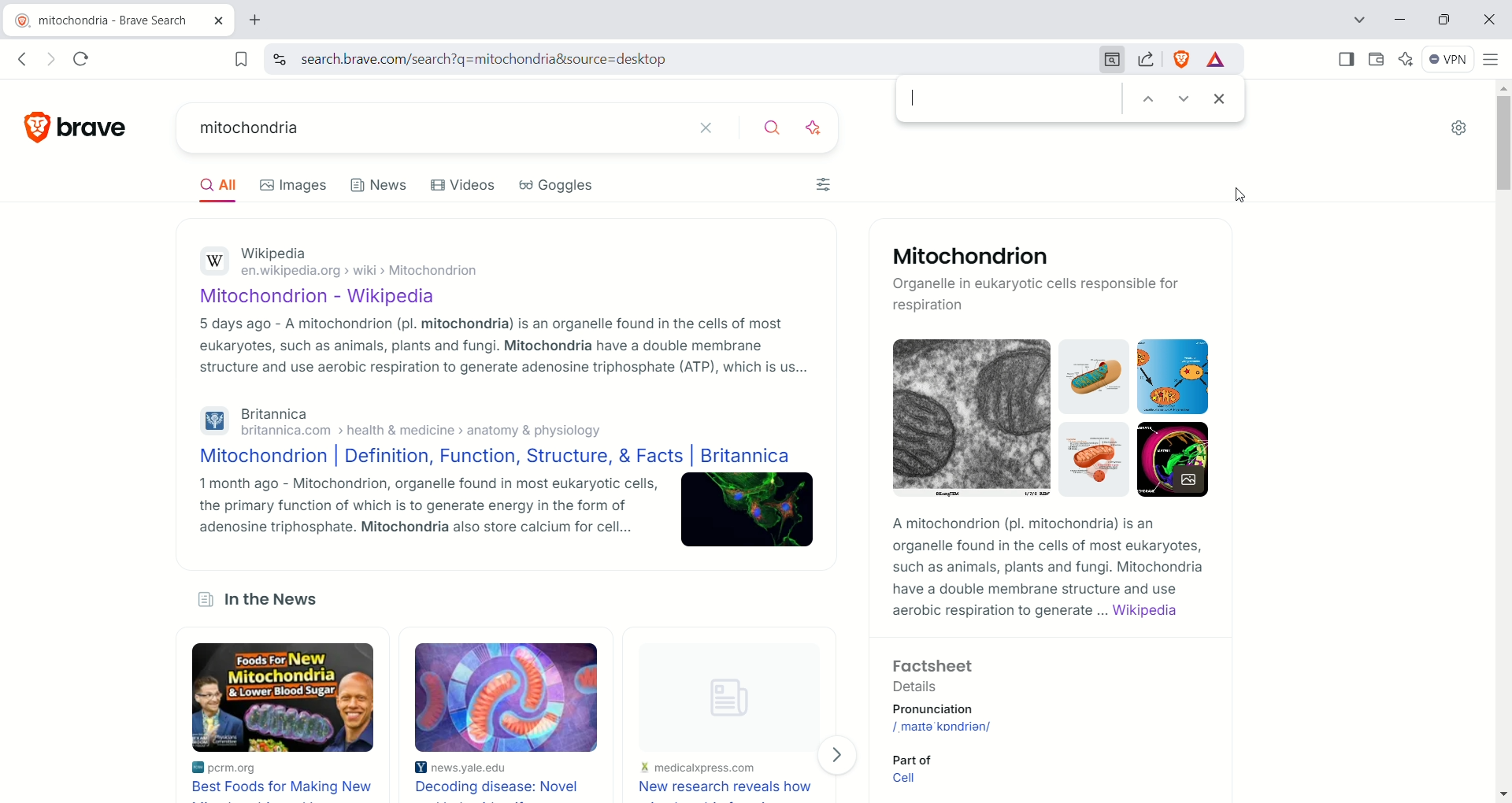 This screenshot has height=803, width=1512. What do you see at coordinates (213, 189) in the screenshot?
I see `All` at bounding box center [213, 189].